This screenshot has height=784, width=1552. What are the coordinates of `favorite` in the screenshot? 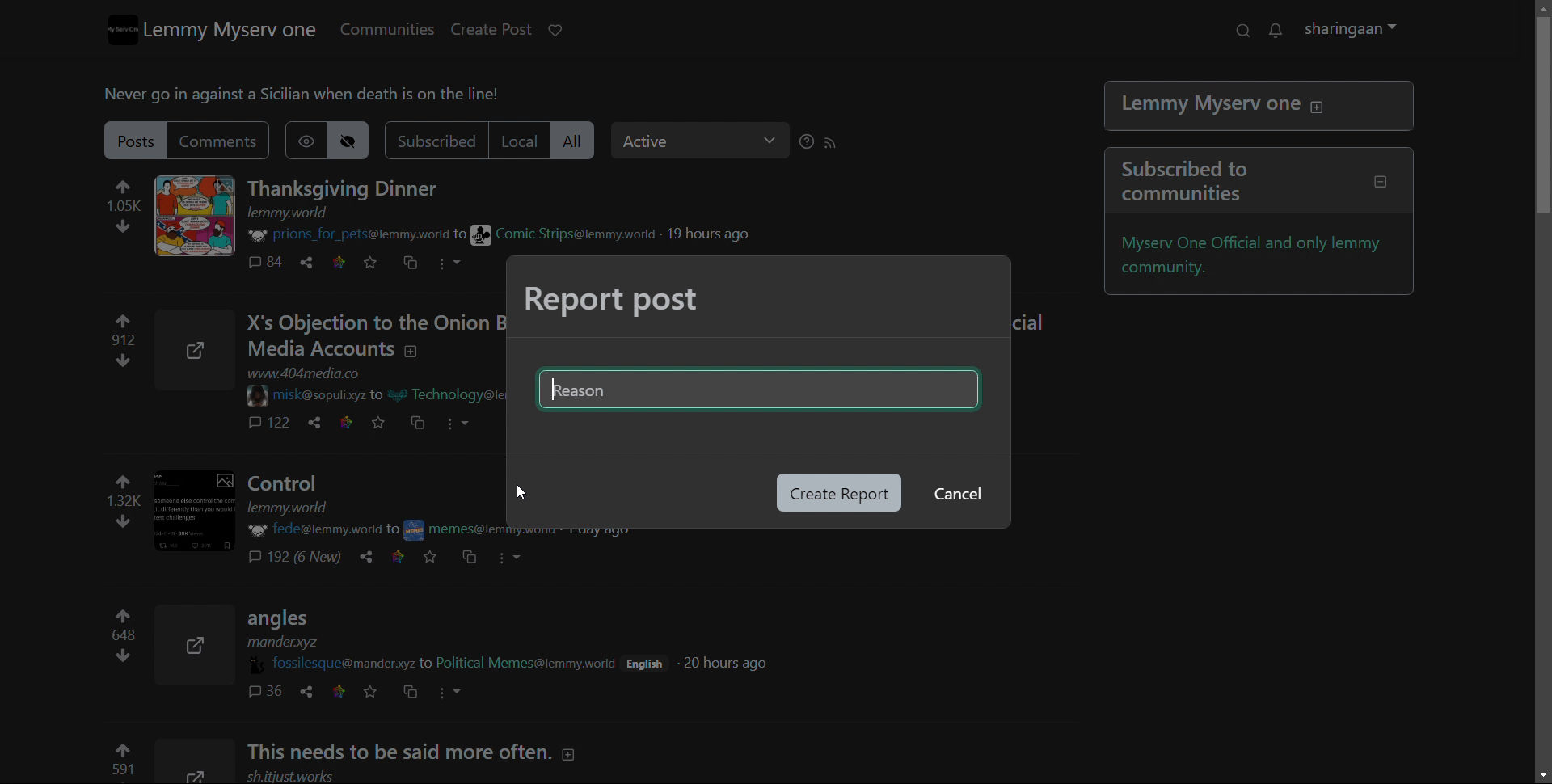 It's located at (386, 423).